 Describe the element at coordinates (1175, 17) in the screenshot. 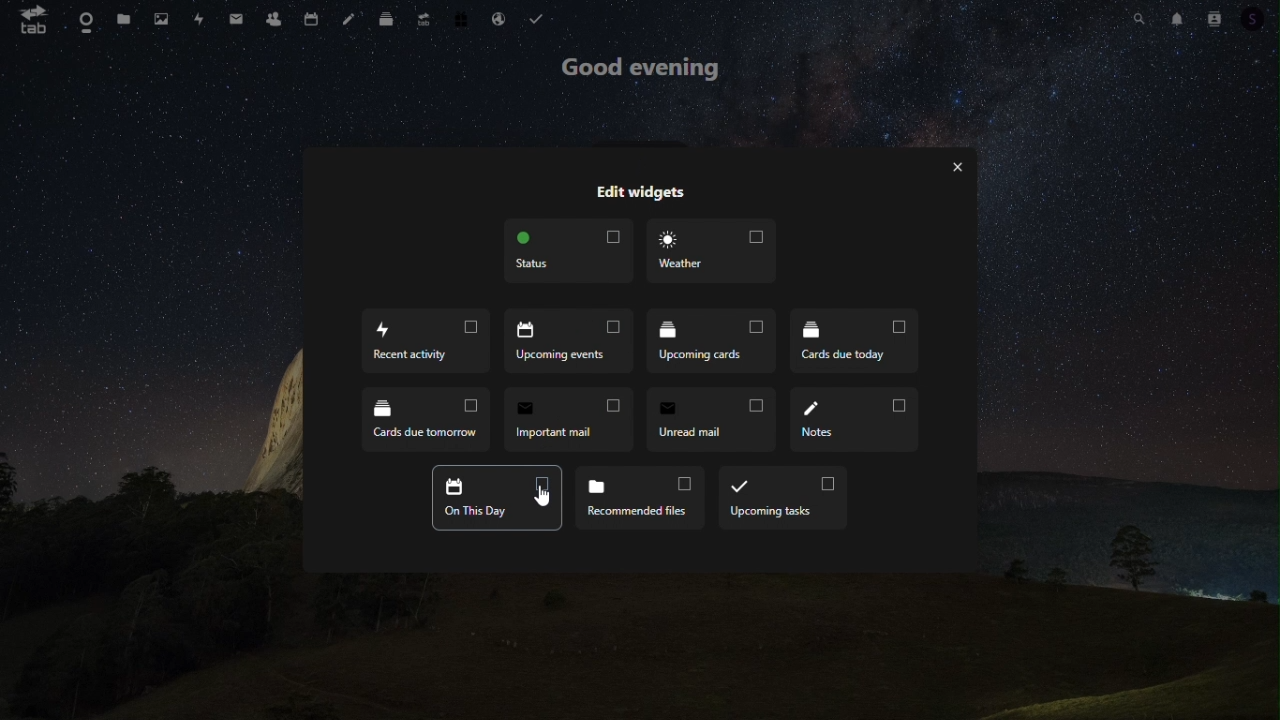

I see `Notifications` at that location.